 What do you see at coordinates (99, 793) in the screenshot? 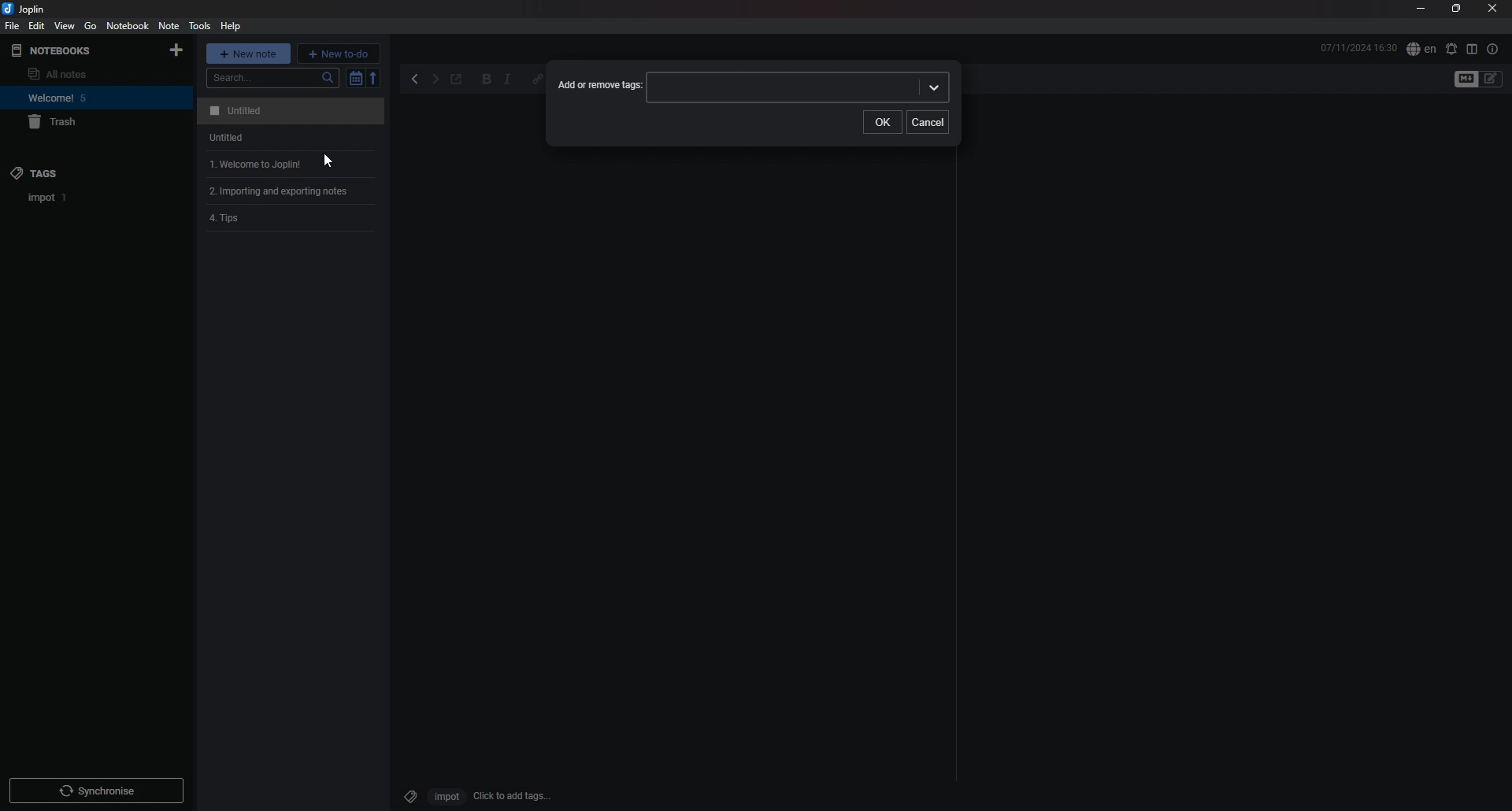
I see `Synchronize` at bounding box center [99, 793].